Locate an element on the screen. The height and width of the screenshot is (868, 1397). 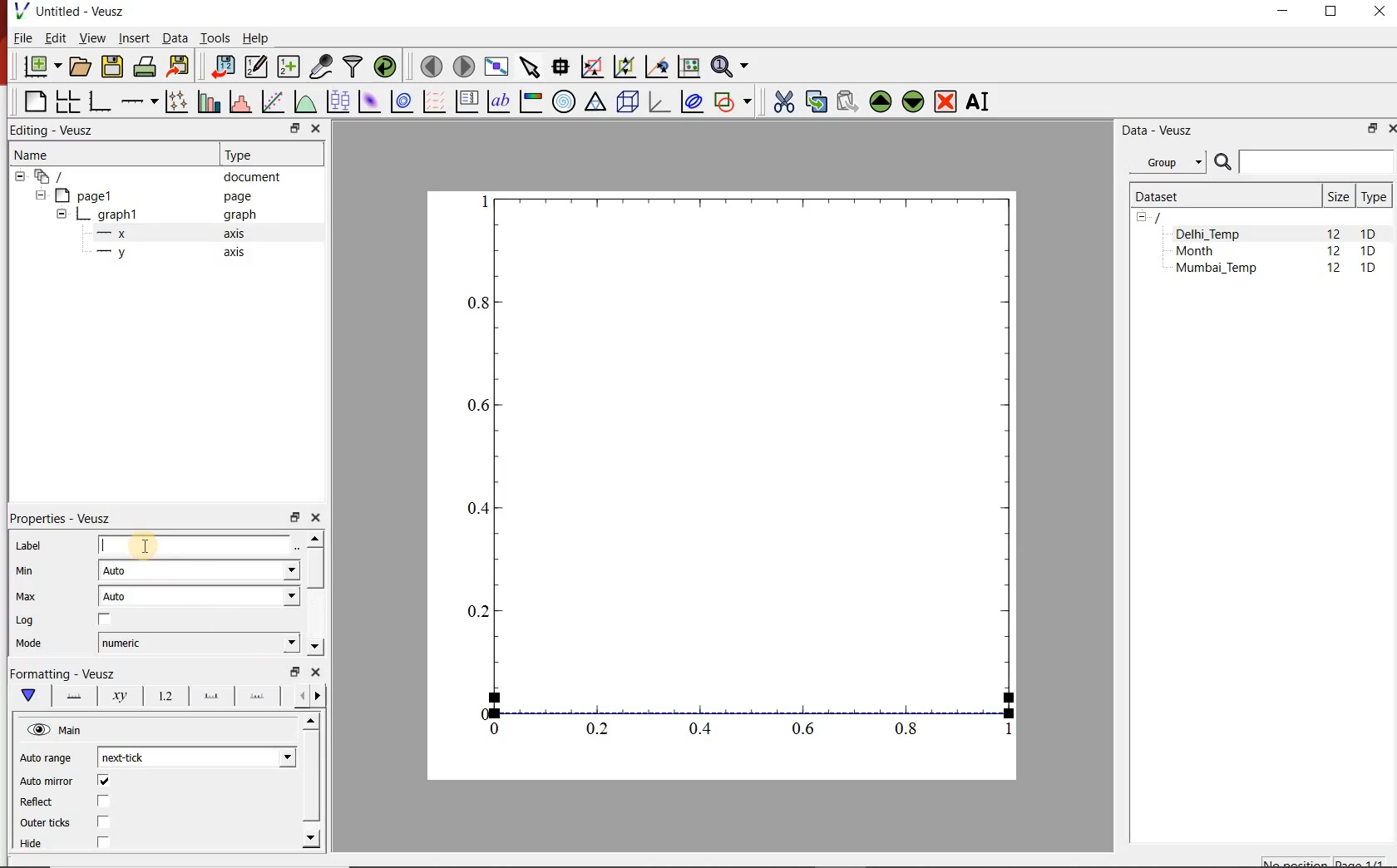
restore is located at coordinates (296, 128).